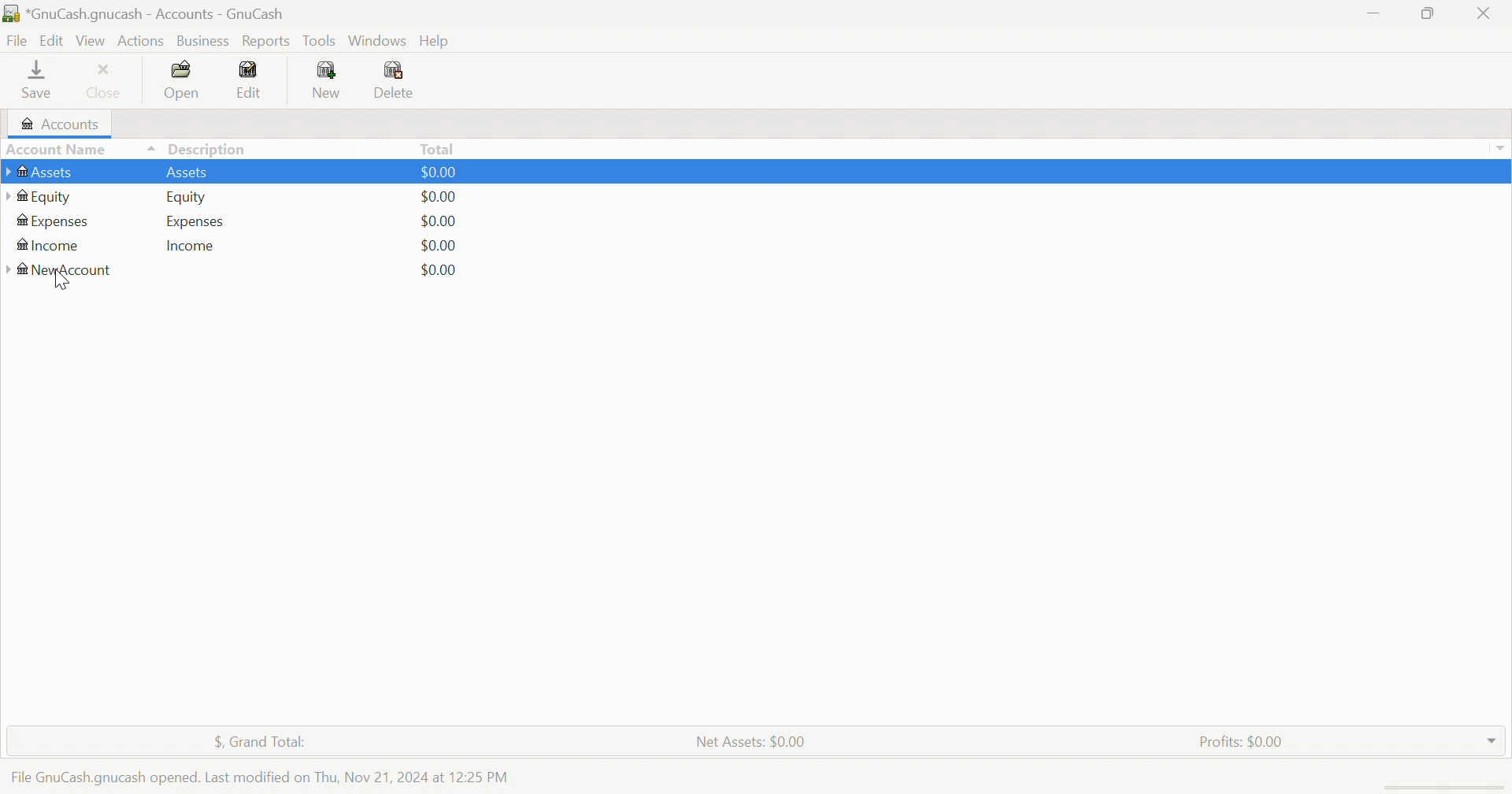 The image size is (1512, 794). What do you see at coordinates (439, 245) in the screenshot?
I see `$0.00` at bounding box center [439, 245].